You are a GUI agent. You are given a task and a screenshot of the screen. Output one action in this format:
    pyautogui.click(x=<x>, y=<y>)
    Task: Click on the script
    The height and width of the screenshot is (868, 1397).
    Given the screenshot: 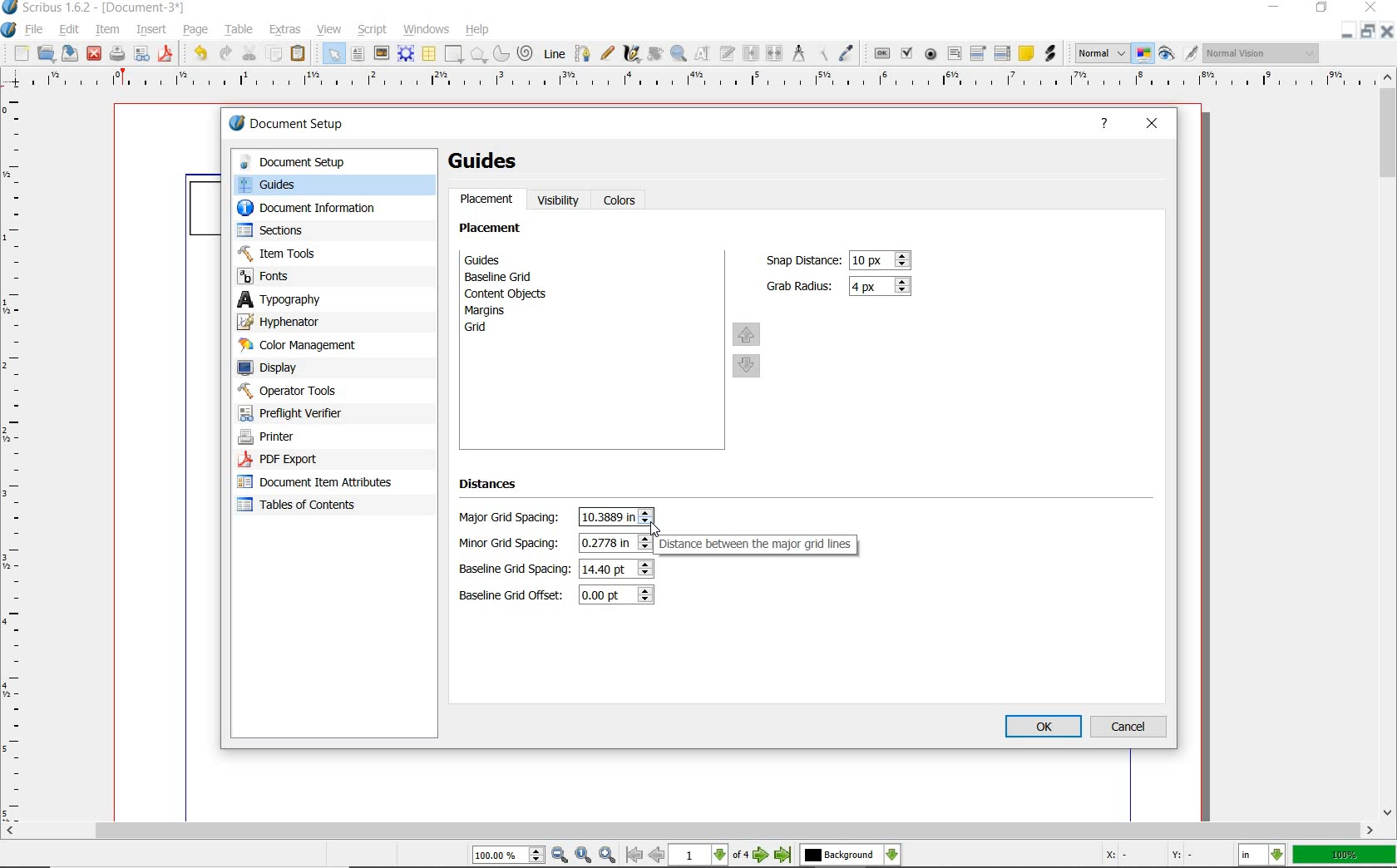 What is the action you would take?
    pyautogui.click(x=373, y=29)
    